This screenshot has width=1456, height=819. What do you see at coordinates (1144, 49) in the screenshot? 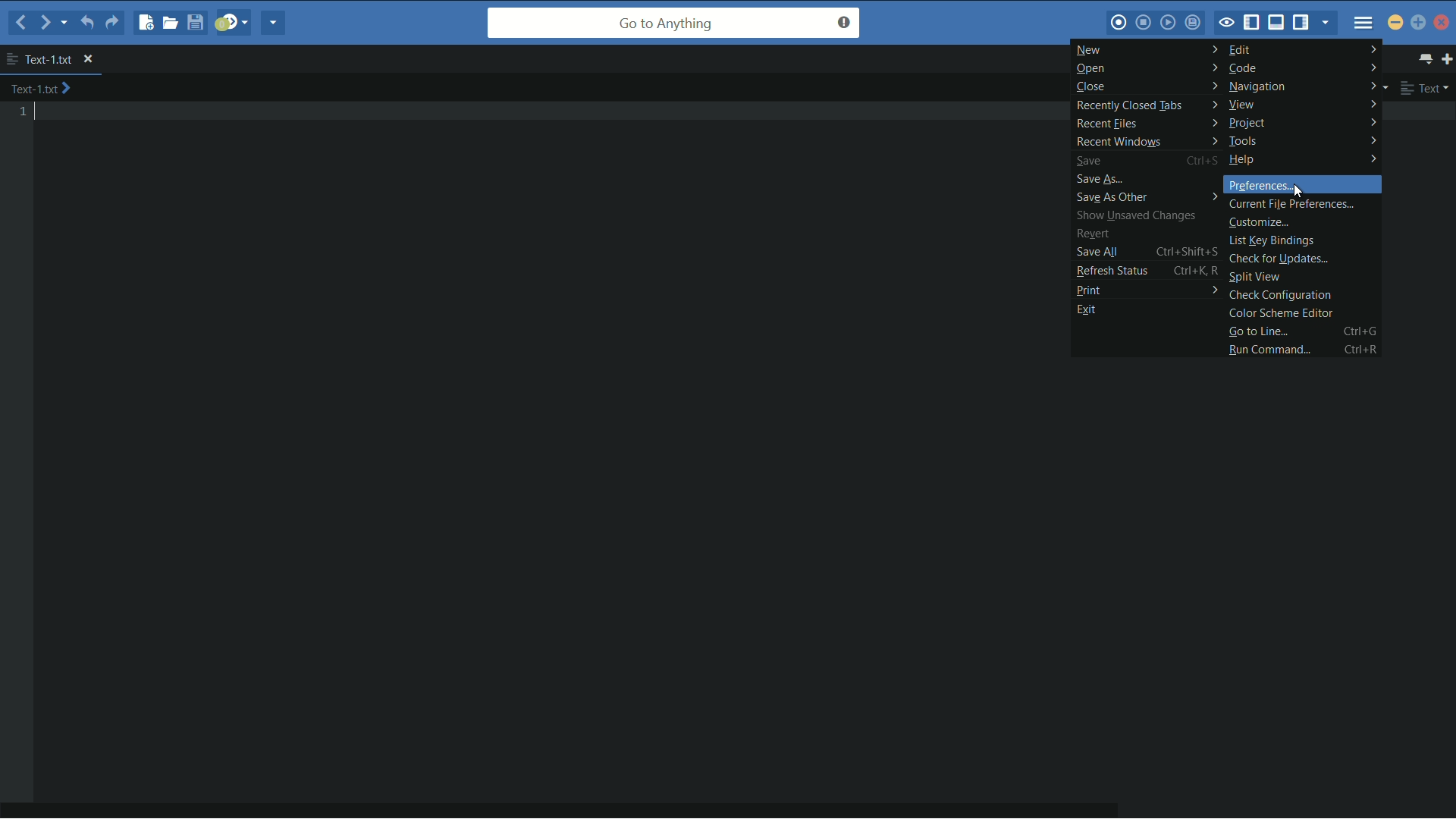
I see `new` at bounding box center [1144, 49].